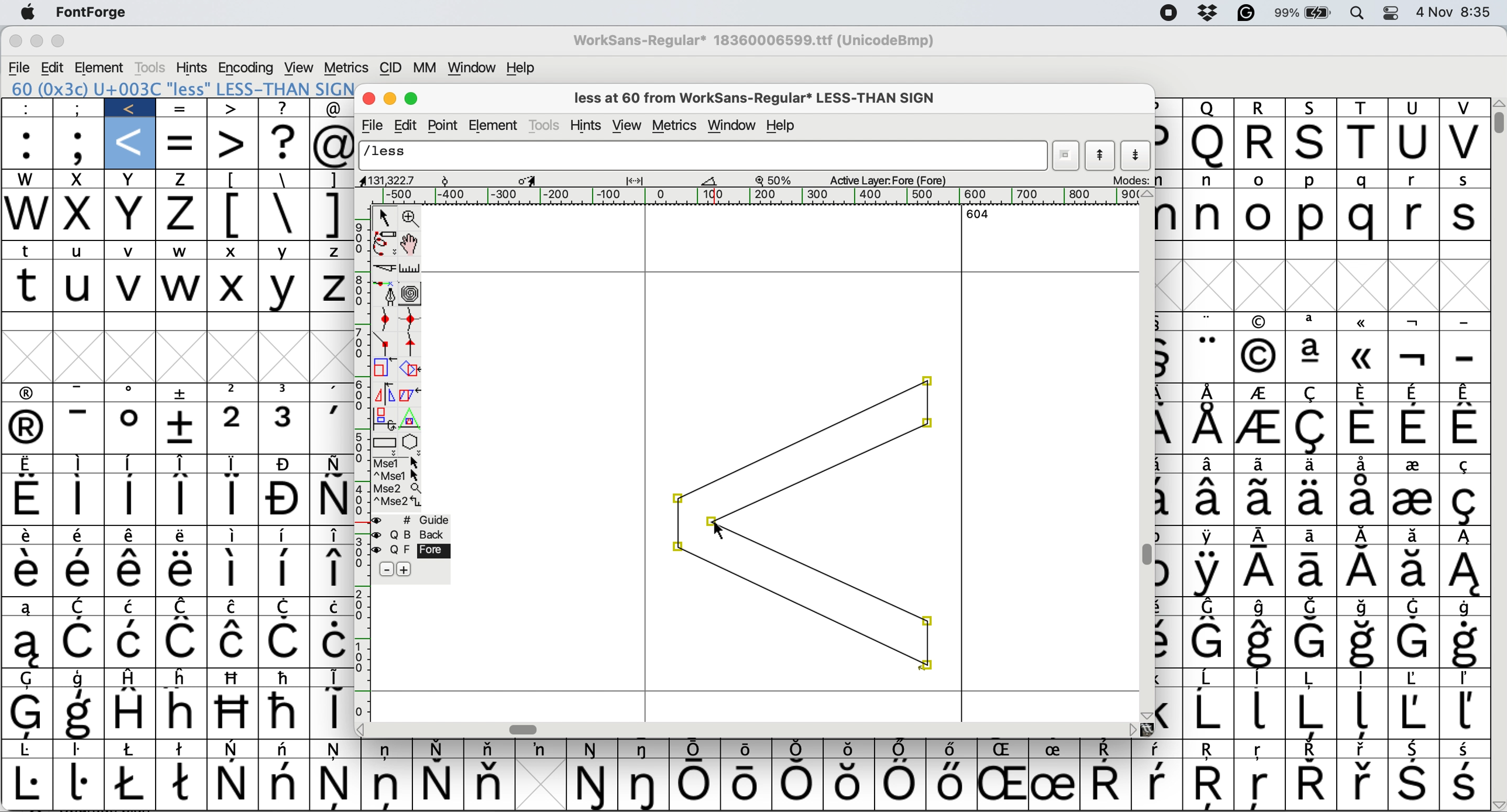  Describe the element at coordinates (446, 125) in the screenshot. I see `point` at that location.